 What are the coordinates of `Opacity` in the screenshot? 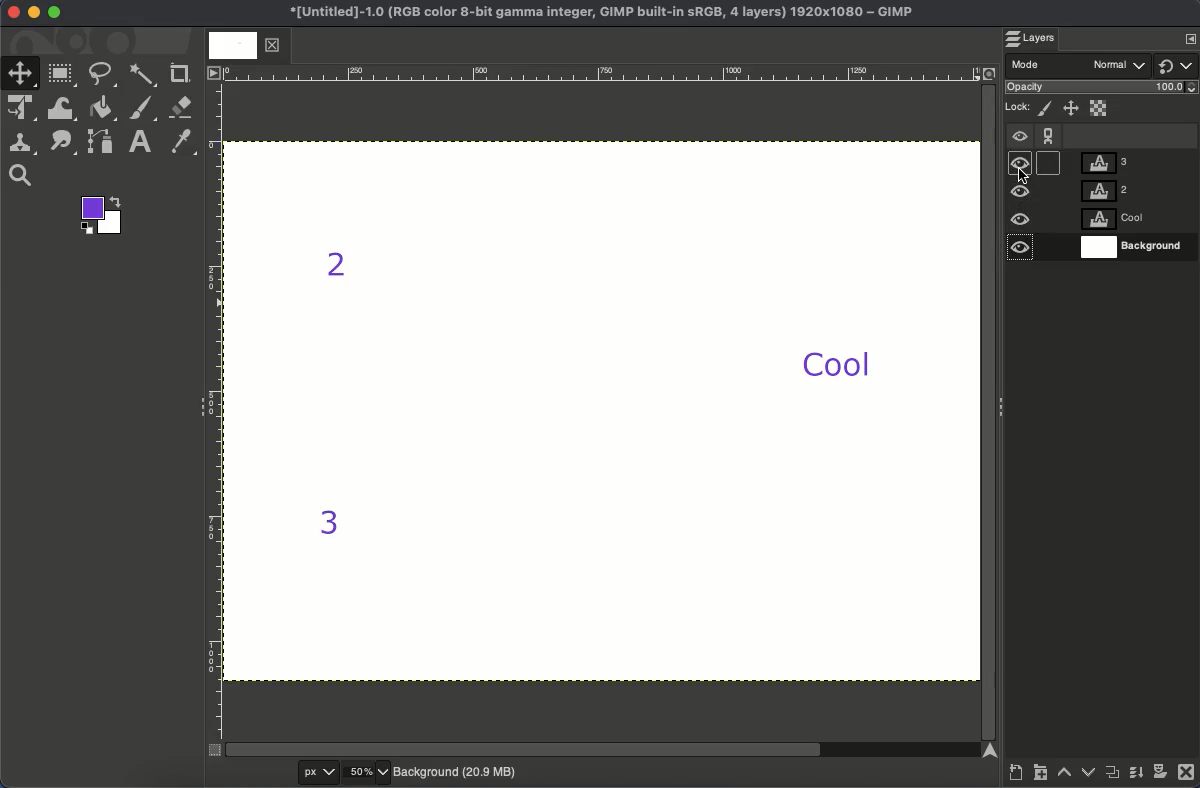 It's located at (1104, 89).